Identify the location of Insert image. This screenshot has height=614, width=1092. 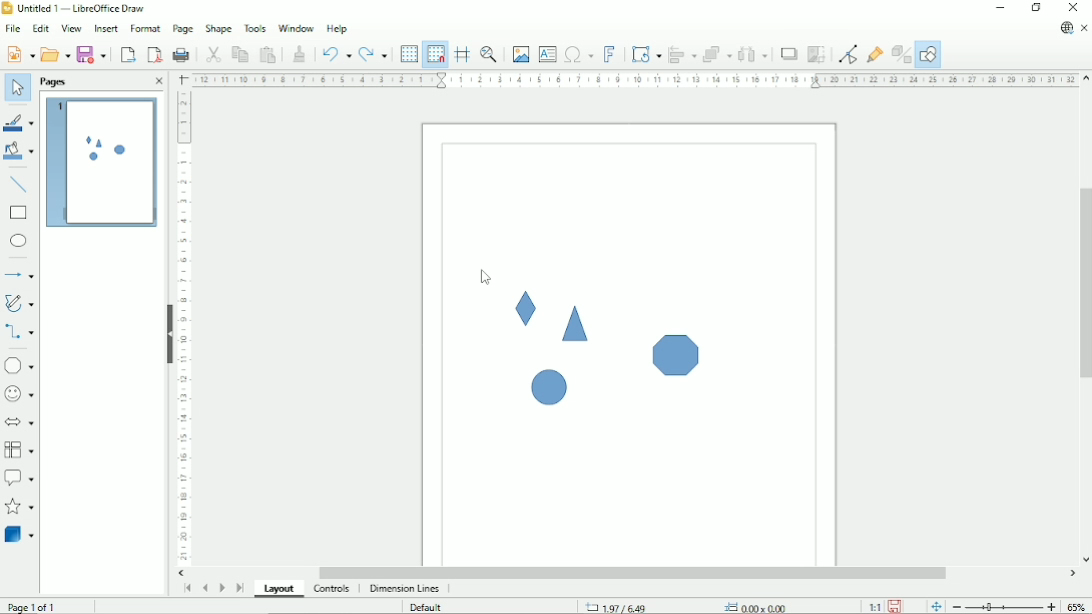
(520, 53).